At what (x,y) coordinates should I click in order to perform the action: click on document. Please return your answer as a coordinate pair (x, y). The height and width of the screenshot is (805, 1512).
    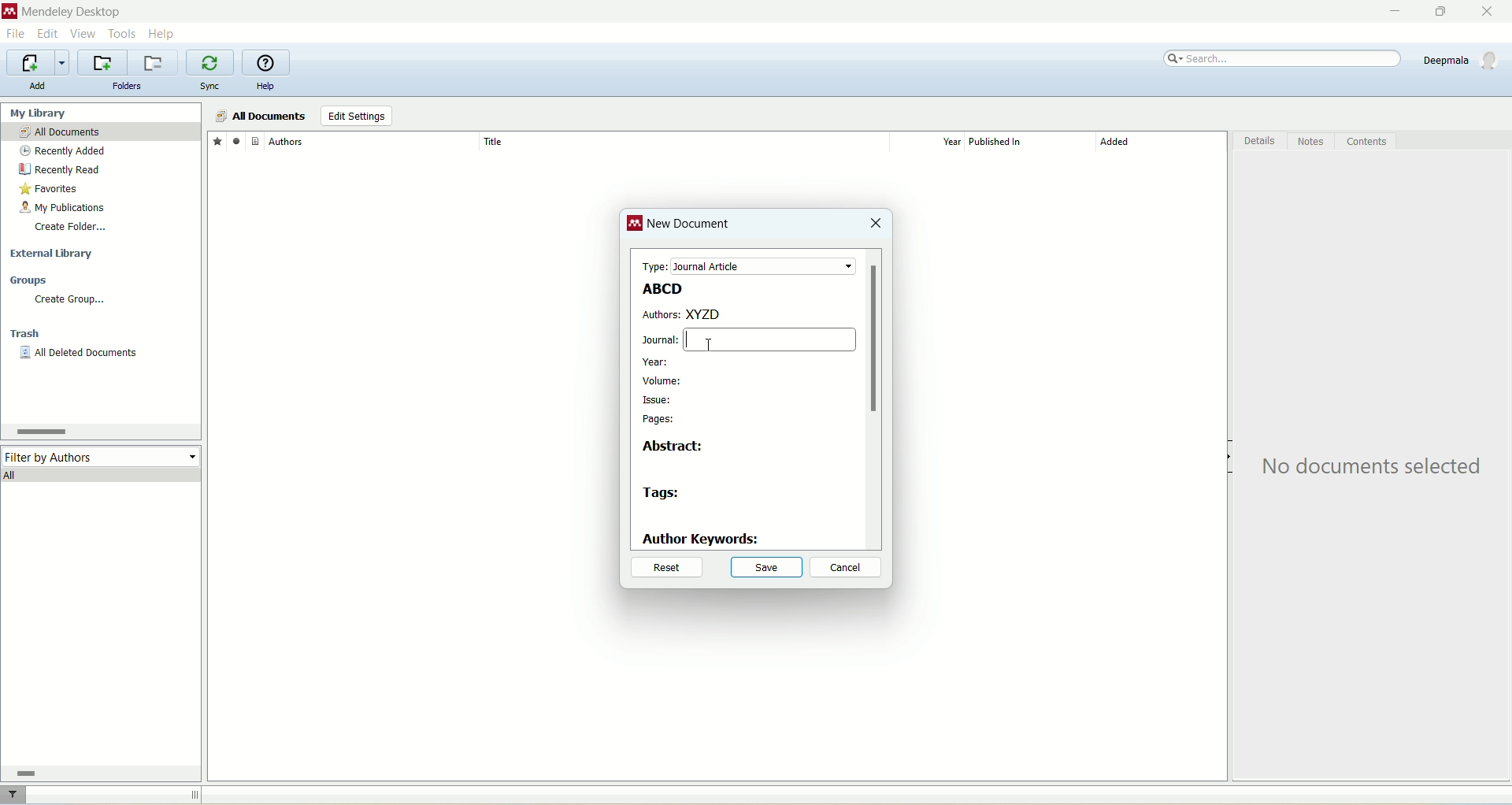
    Looking at the image, I should click on (255, 140).